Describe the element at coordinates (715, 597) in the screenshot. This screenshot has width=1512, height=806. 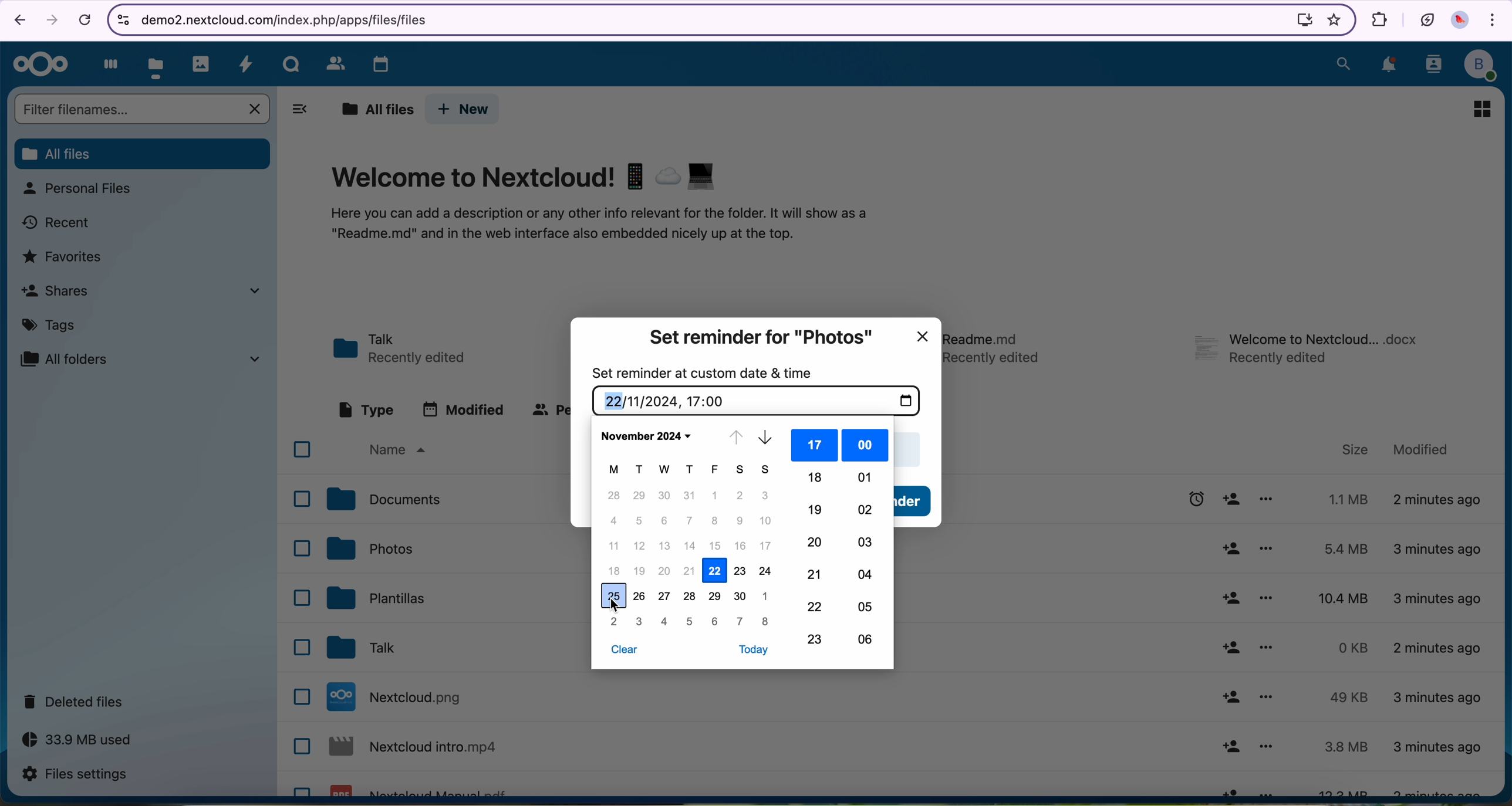
I see `29` at that location.